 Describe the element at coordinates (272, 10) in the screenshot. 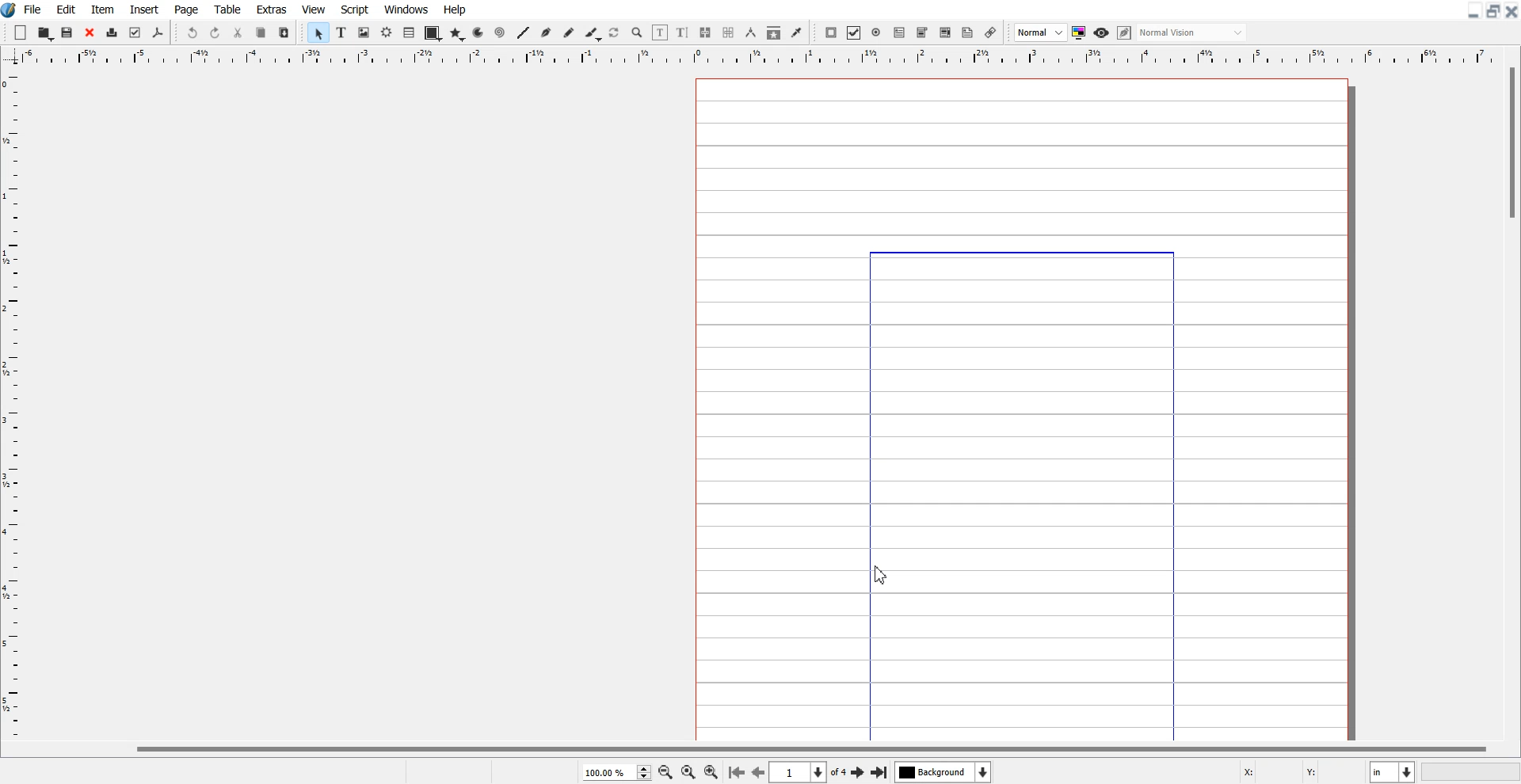

I see `Extras` at that location.